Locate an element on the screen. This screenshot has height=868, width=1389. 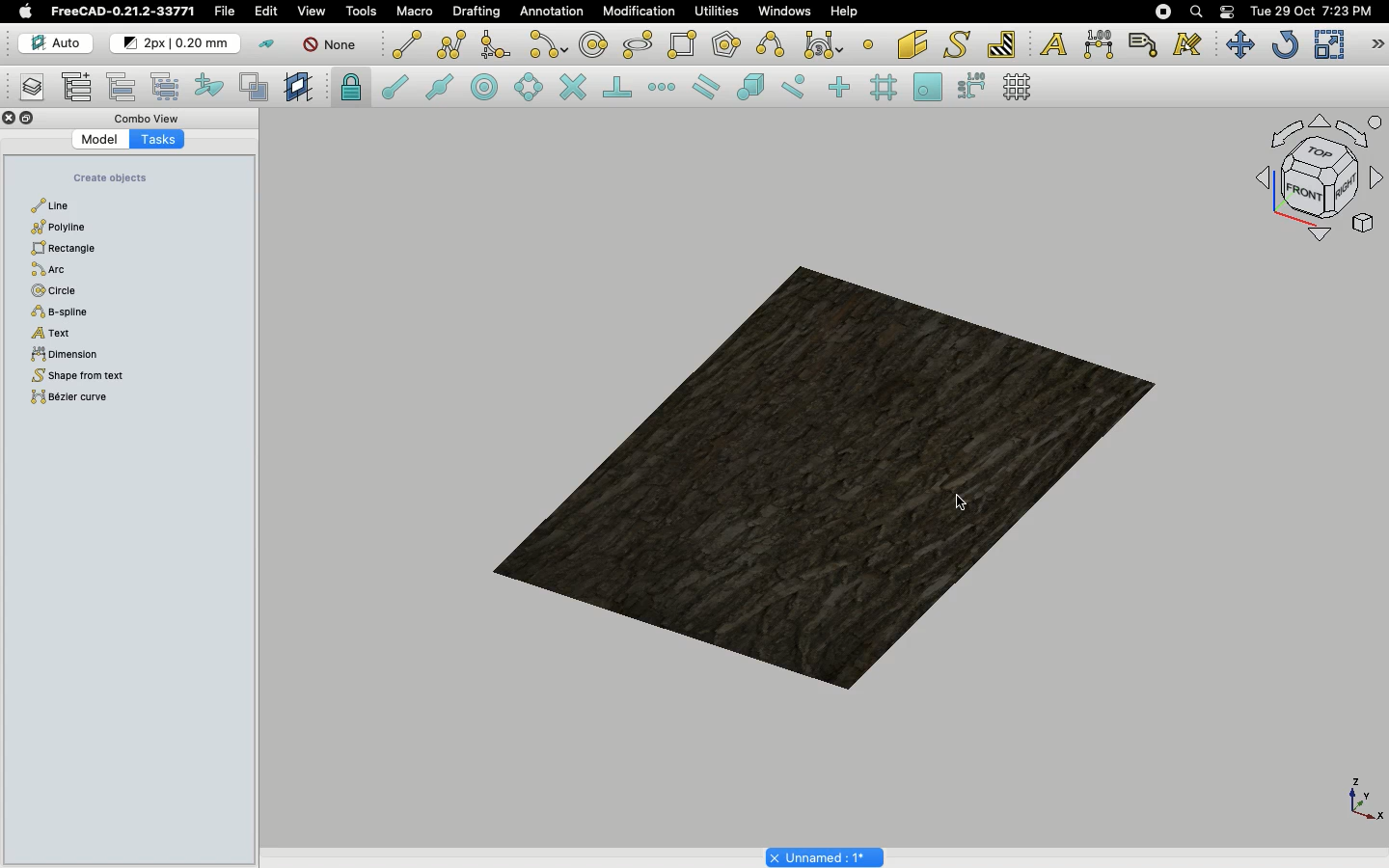
Line is located at coordinates (51, 203).